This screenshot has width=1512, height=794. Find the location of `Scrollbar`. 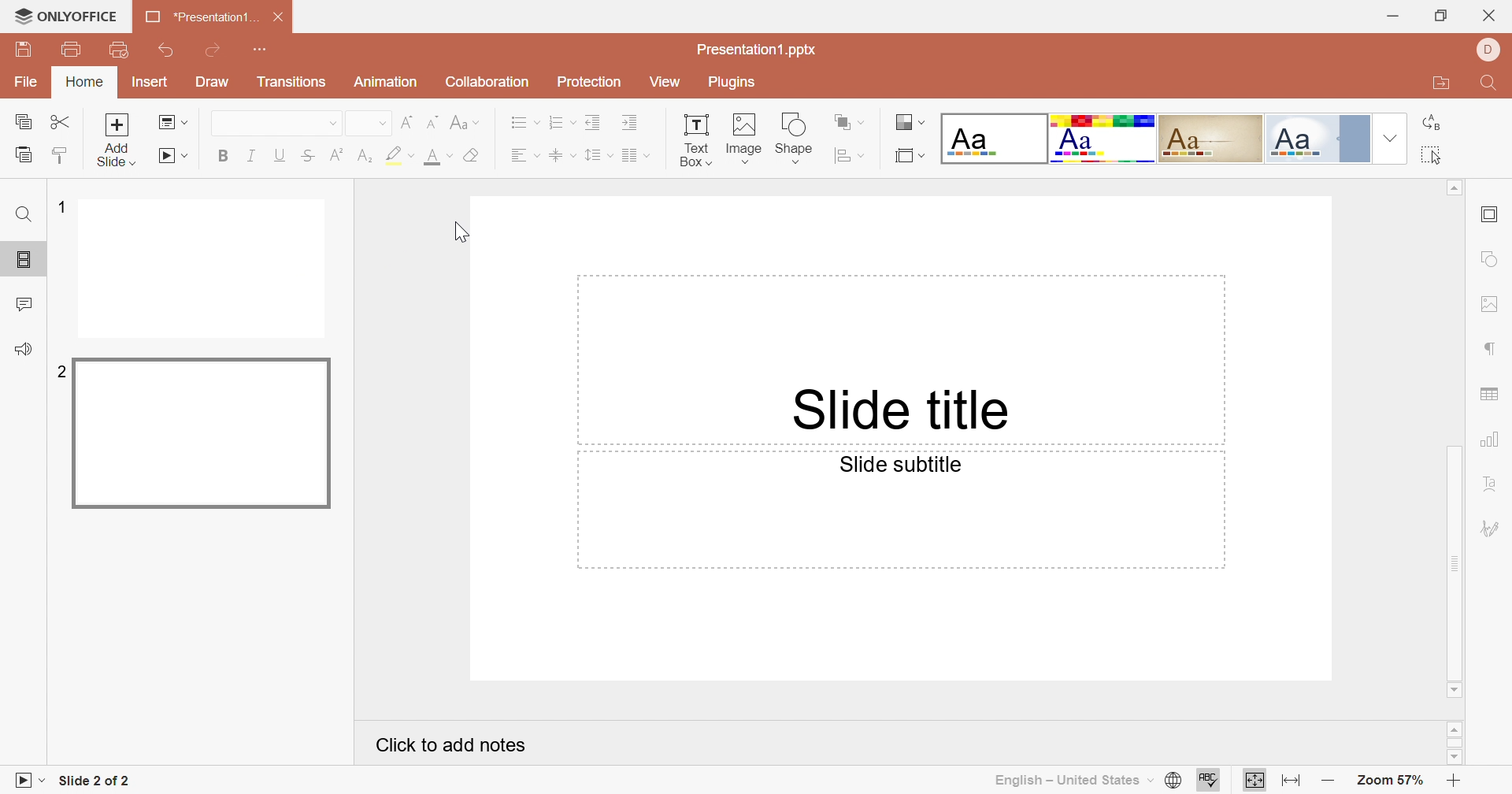

Scrollbar is located at coordinates (1450, 568).